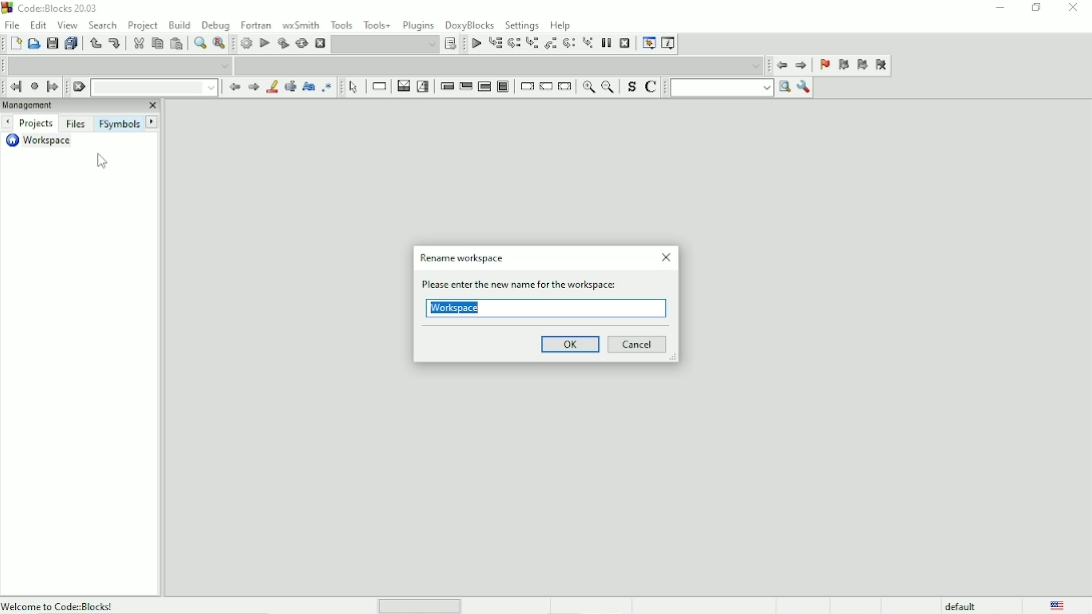 This screenshot has height=614, width=1092. I want to click on Break instruction, so click(526, 87).